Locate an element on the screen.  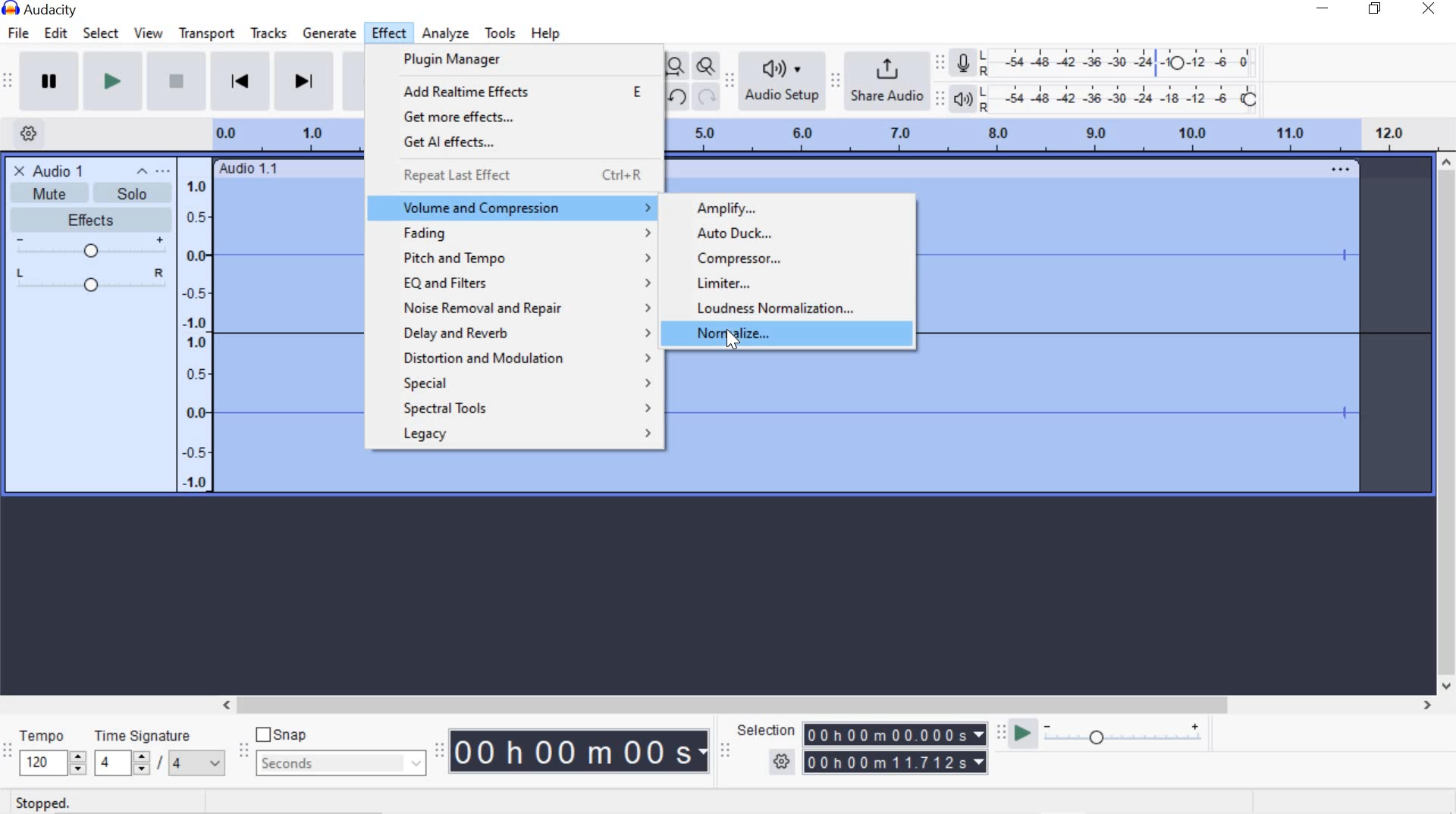
volume and compression is located at coordinates (523, 208).